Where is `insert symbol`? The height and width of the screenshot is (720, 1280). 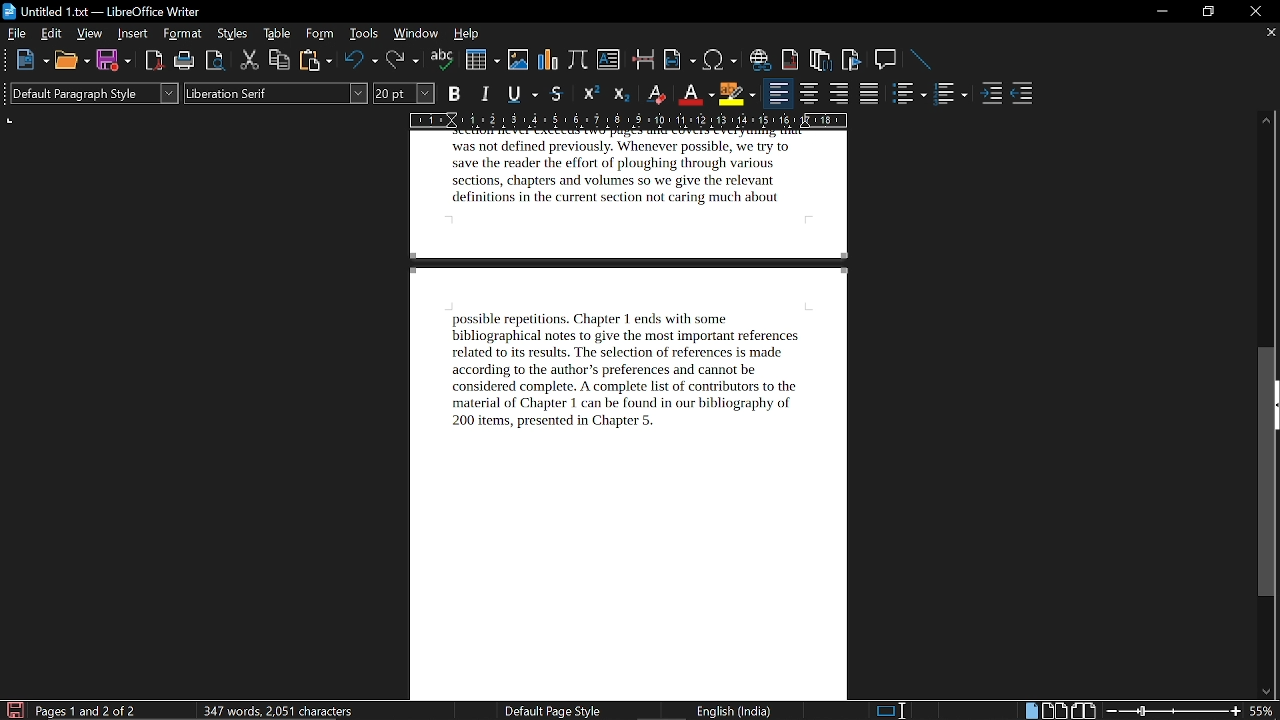 insert symbol is located at coordinates (719, 61).